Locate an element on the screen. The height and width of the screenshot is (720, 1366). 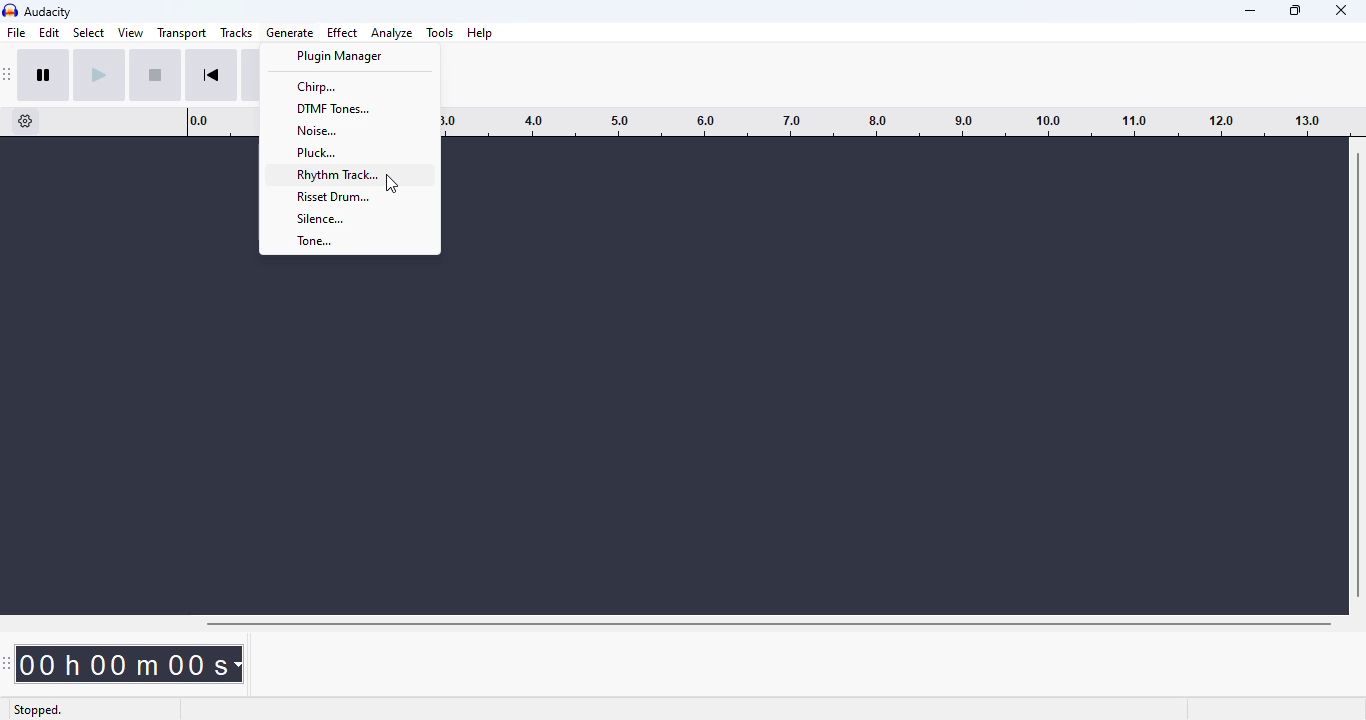
play is located at coordinates (98, 76).